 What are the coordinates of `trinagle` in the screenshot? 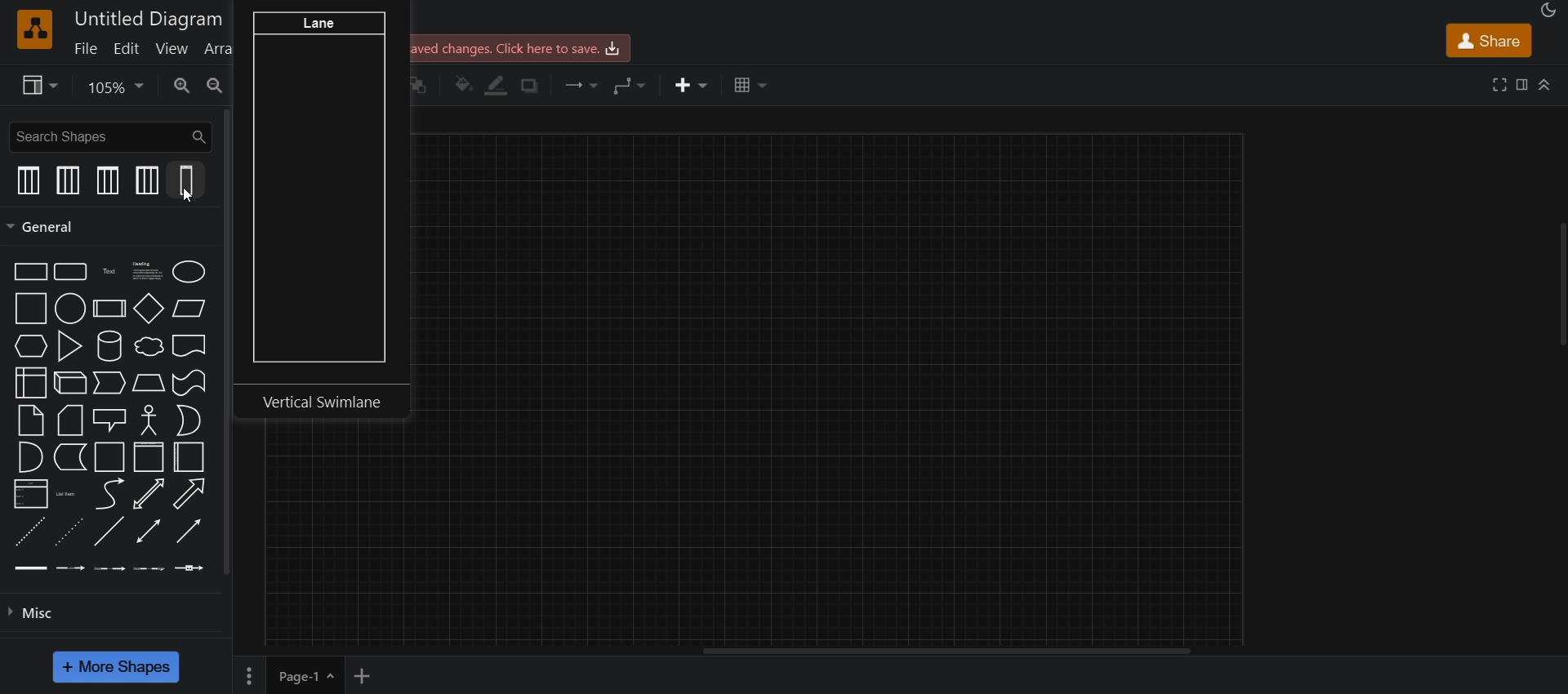 It's located at (71, 345).